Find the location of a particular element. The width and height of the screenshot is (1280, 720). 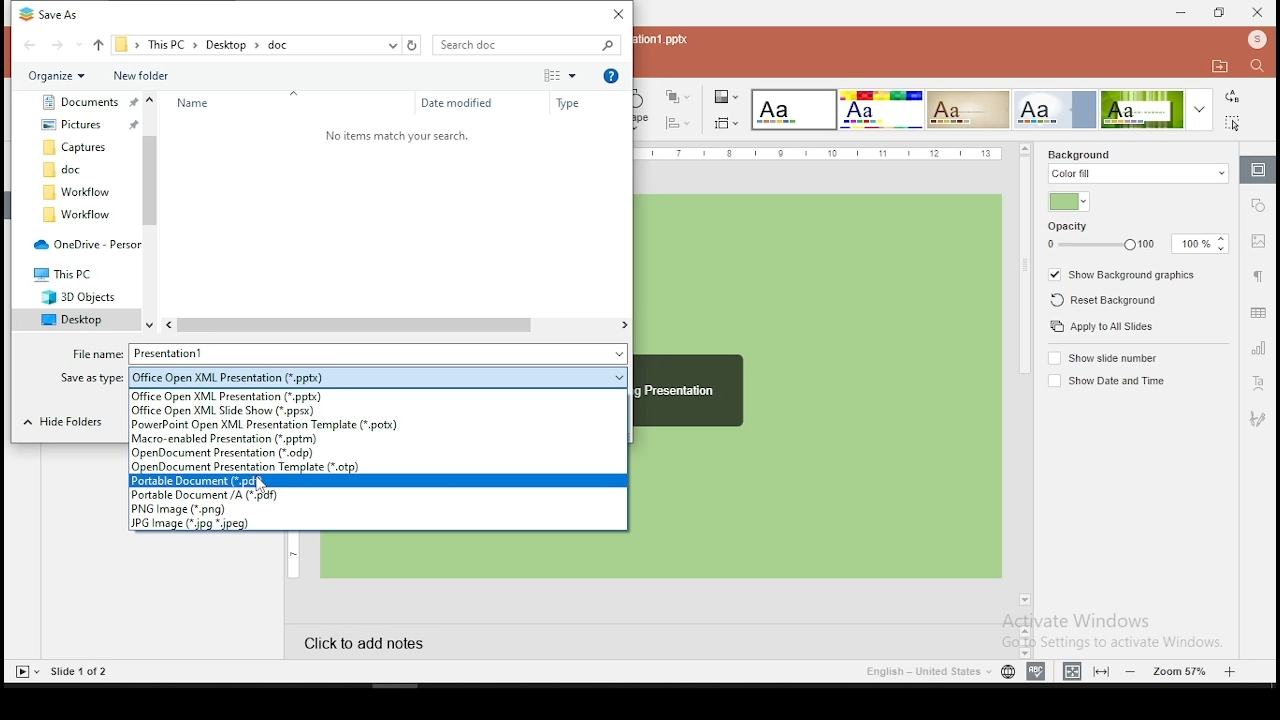

replace is located at coordinates (1233, 96).